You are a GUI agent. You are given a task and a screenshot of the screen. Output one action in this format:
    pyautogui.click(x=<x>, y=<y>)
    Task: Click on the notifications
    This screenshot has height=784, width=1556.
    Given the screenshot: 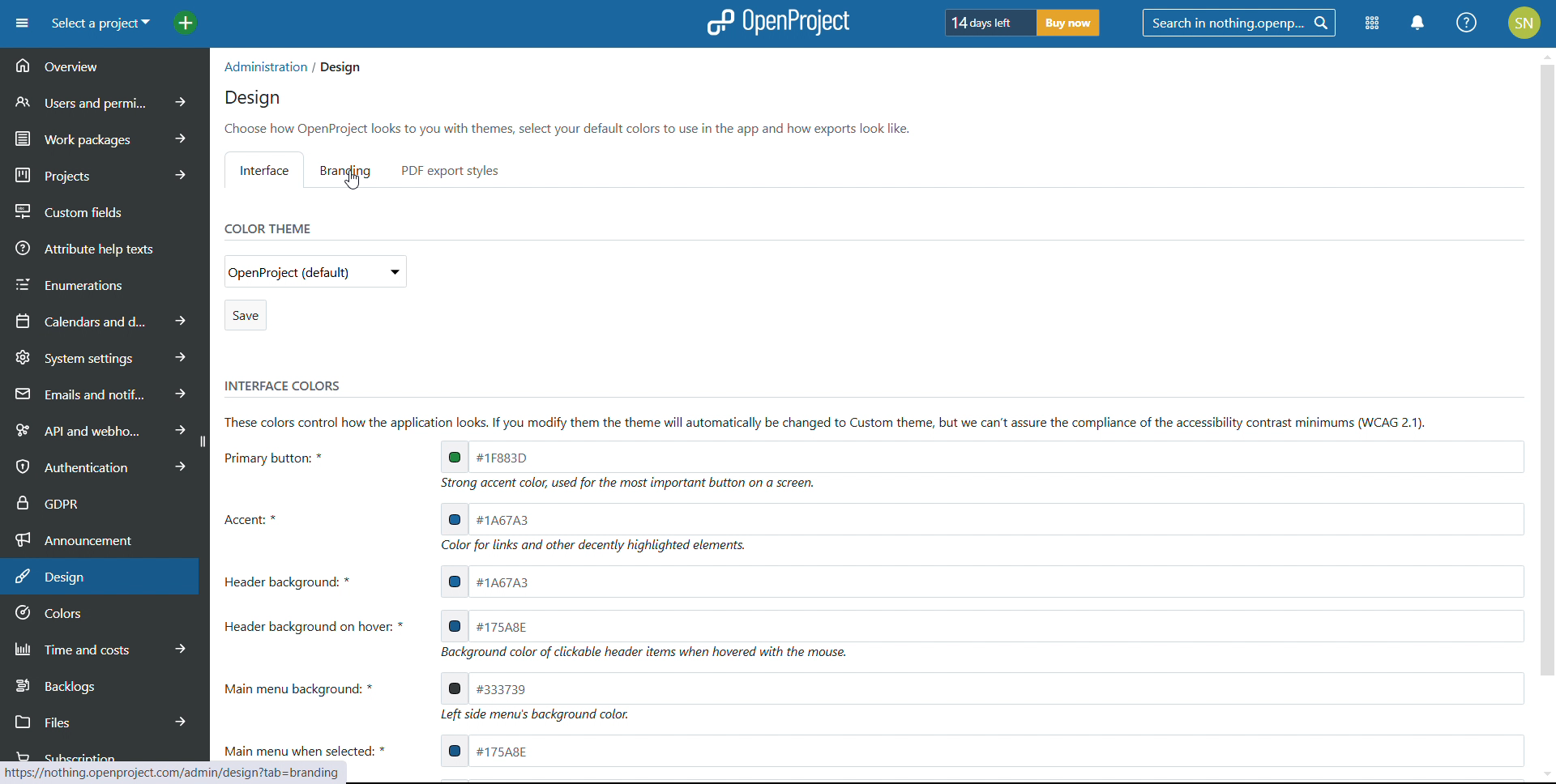 What is the action you would take?
    pyautogui.click(x=1419, y=23)
    